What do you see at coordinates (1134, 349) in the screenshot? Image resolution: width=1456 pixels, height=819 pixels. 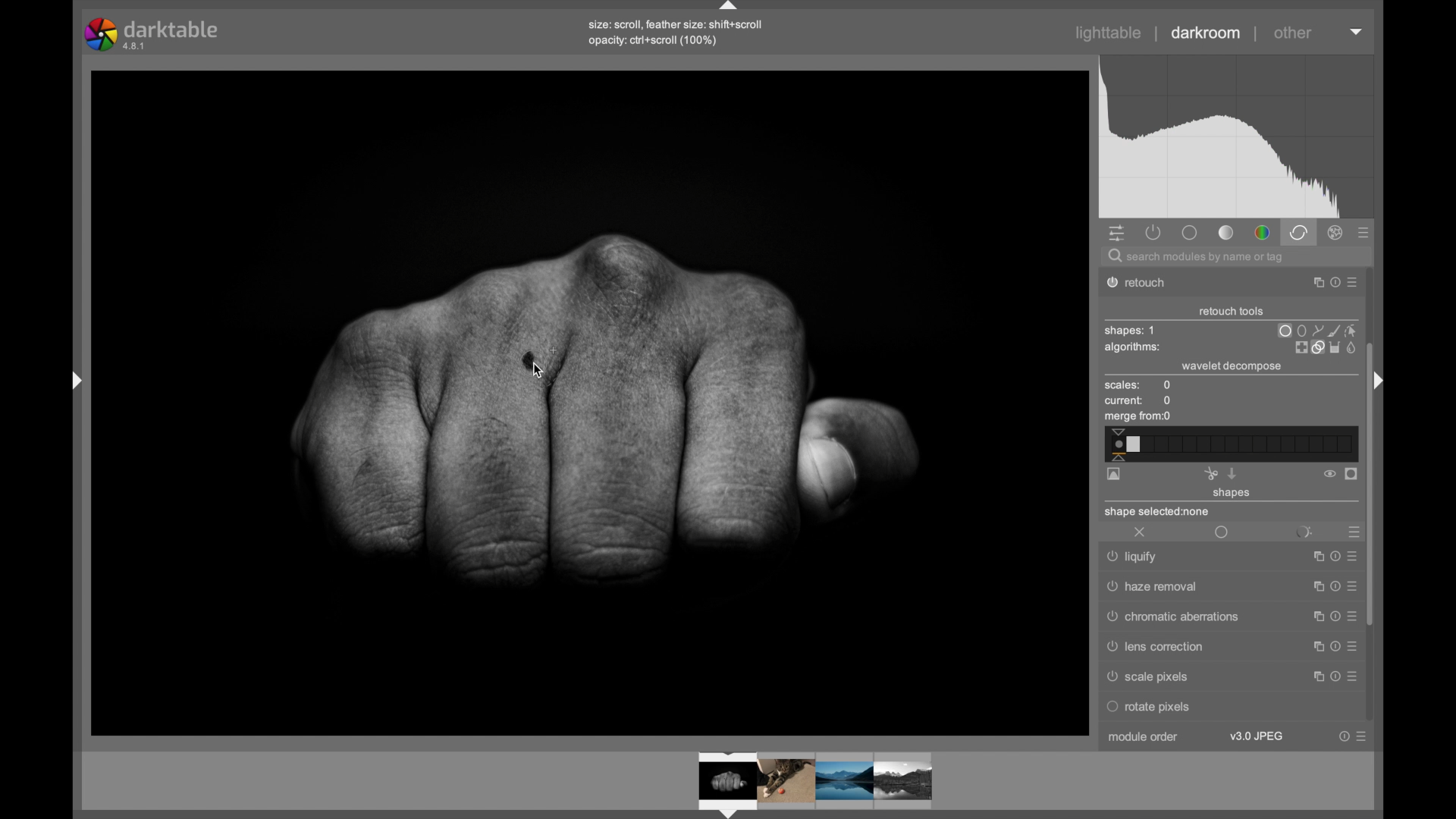 I see `algorithms` at bounding box center [1134, 349].